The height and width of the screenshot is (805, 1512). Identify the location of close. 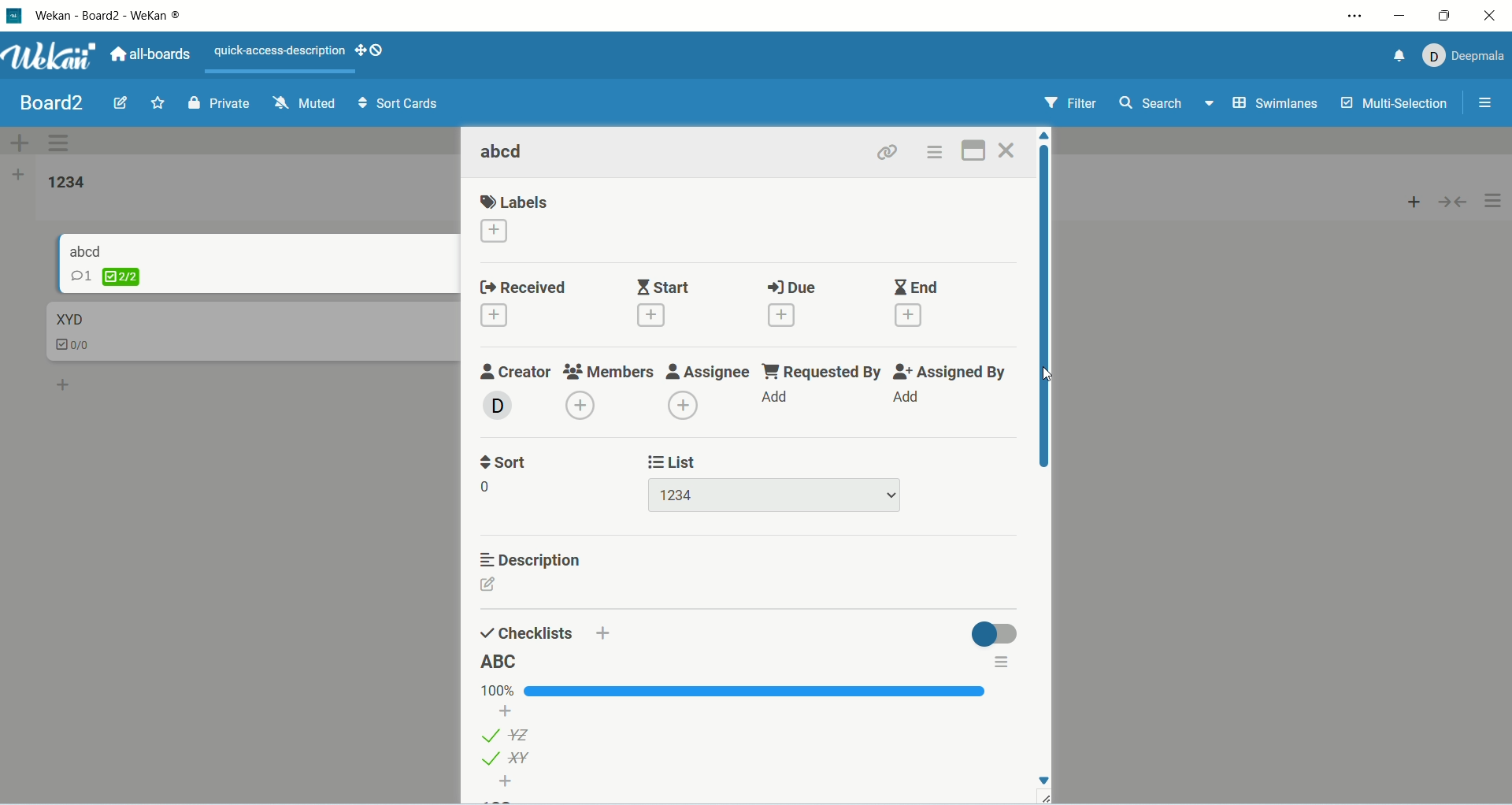
(1008, 150).